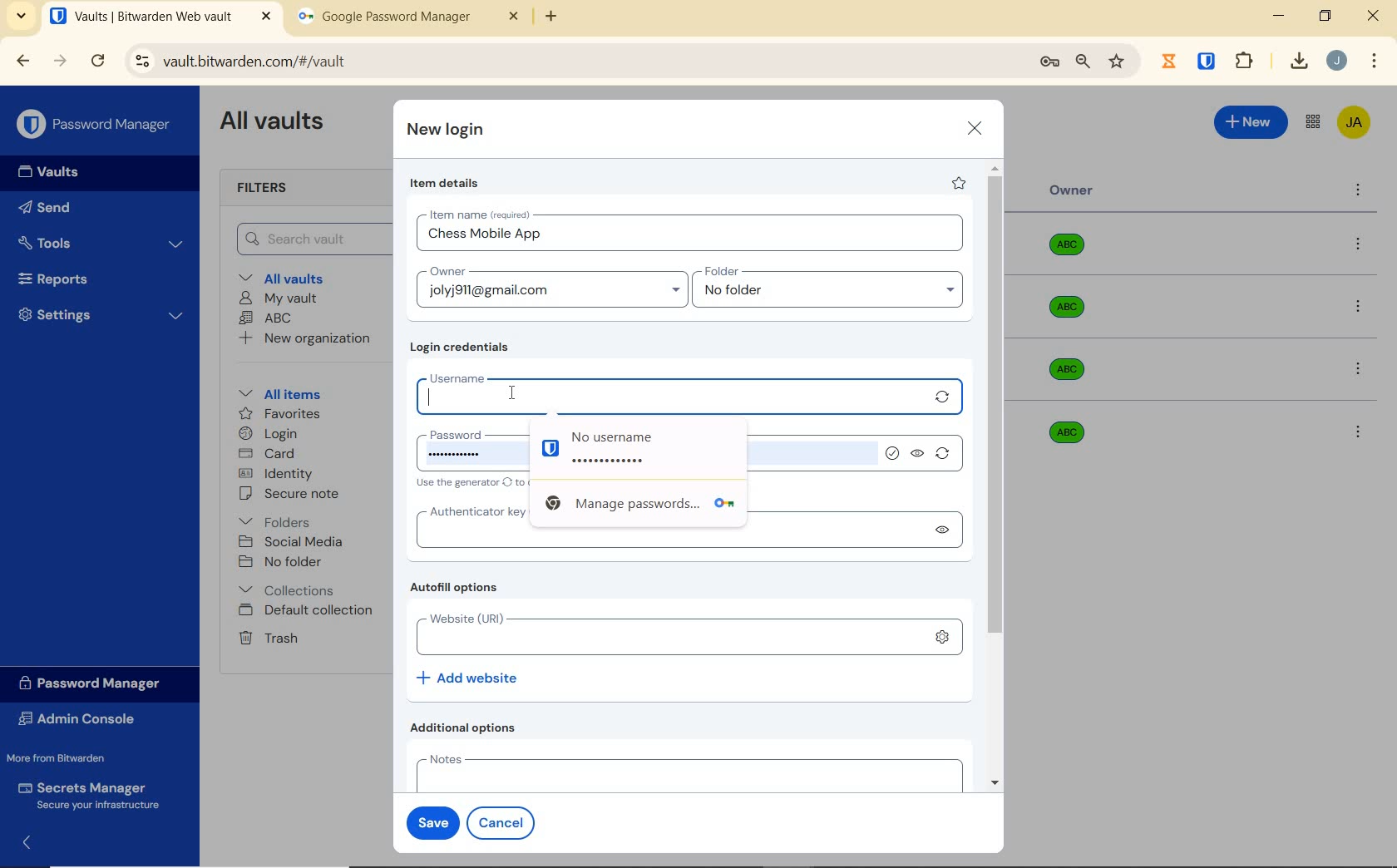 This screenshot has width=1397, height=868. Describe the element at coordinates (1361, 308) in the screenshot. I see `option` at that location.